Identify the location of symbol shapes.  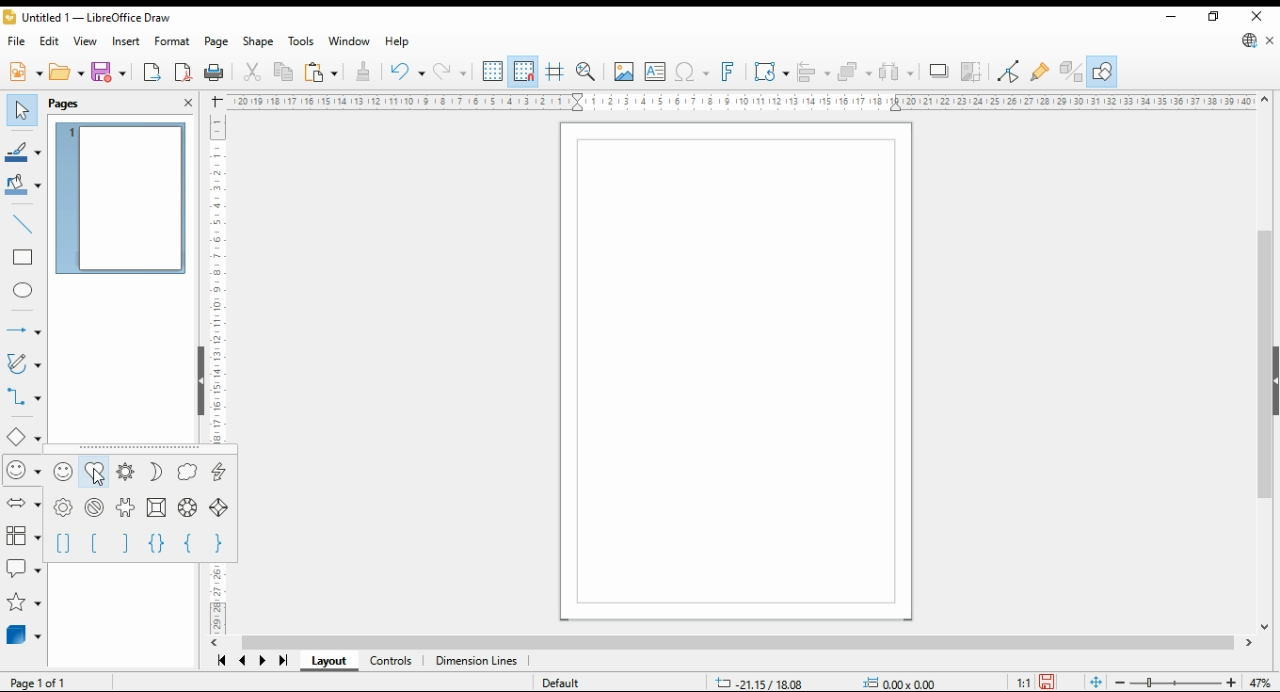
(22, 471).